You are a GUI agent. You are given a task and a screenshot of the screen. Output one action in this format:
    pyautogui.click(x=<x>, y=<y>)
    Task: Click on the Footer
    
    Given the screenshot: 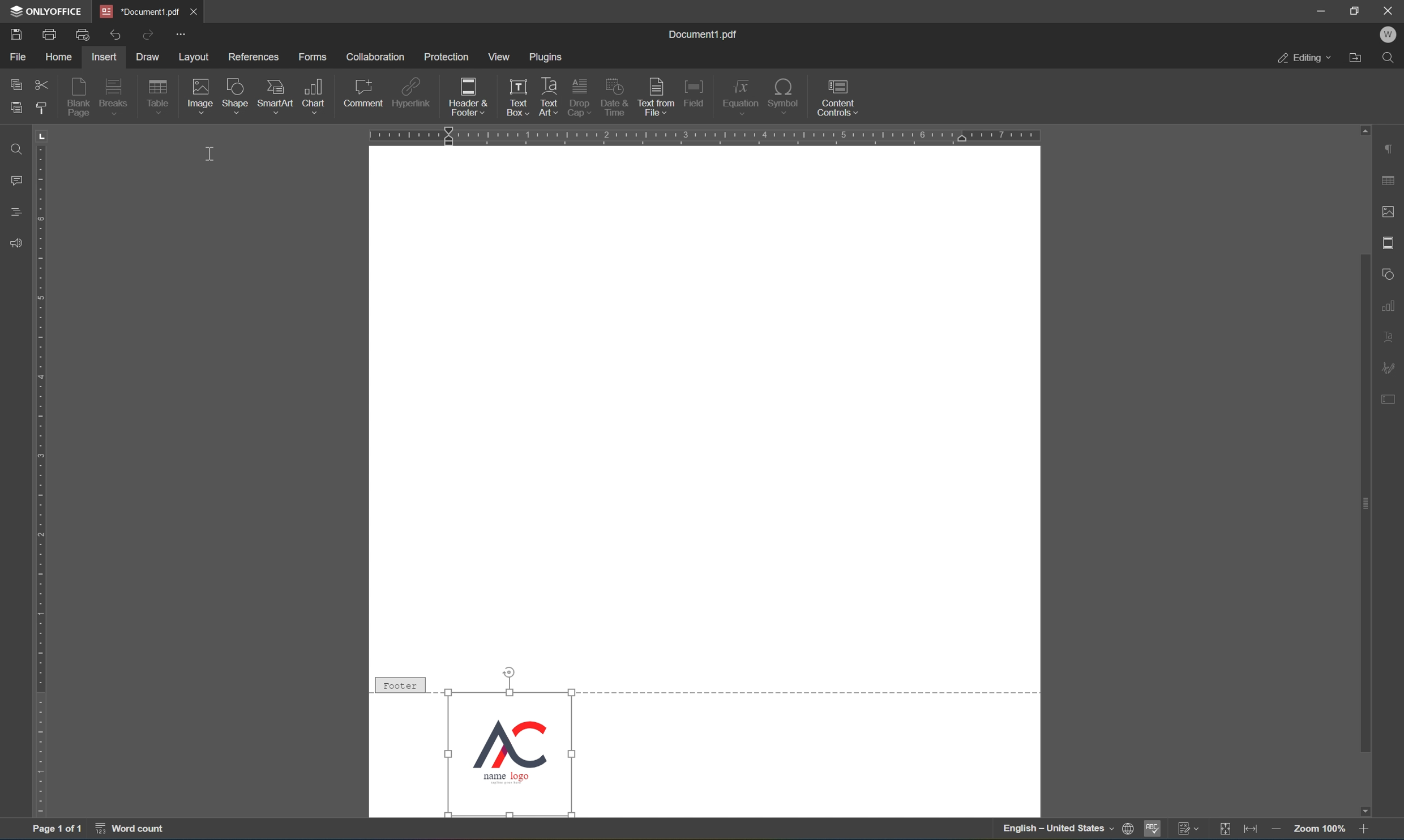 What is the action you would take?
    pyautogui.click(x=402, y=684)
    